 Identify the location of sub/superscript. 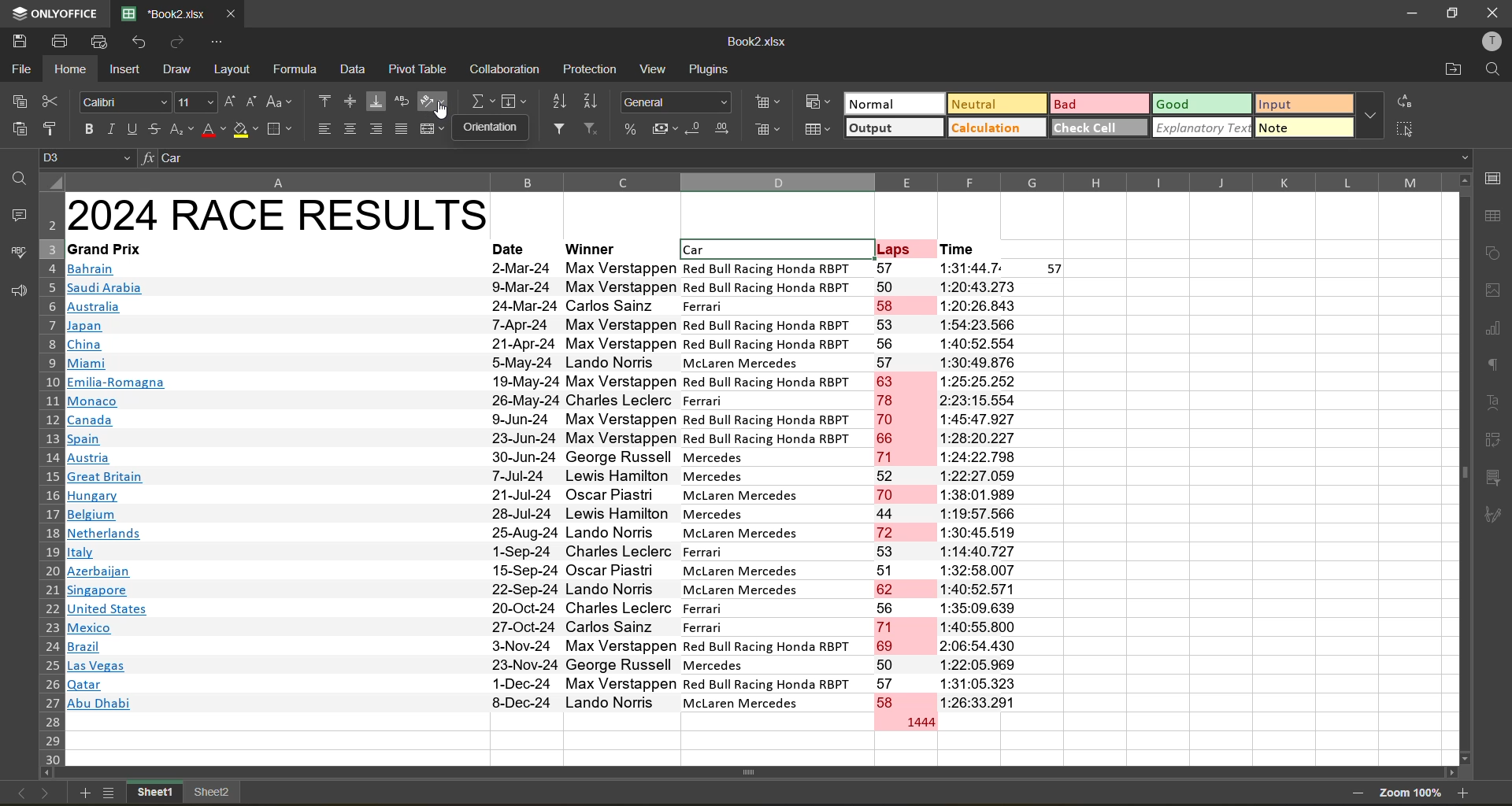
(180, 130).